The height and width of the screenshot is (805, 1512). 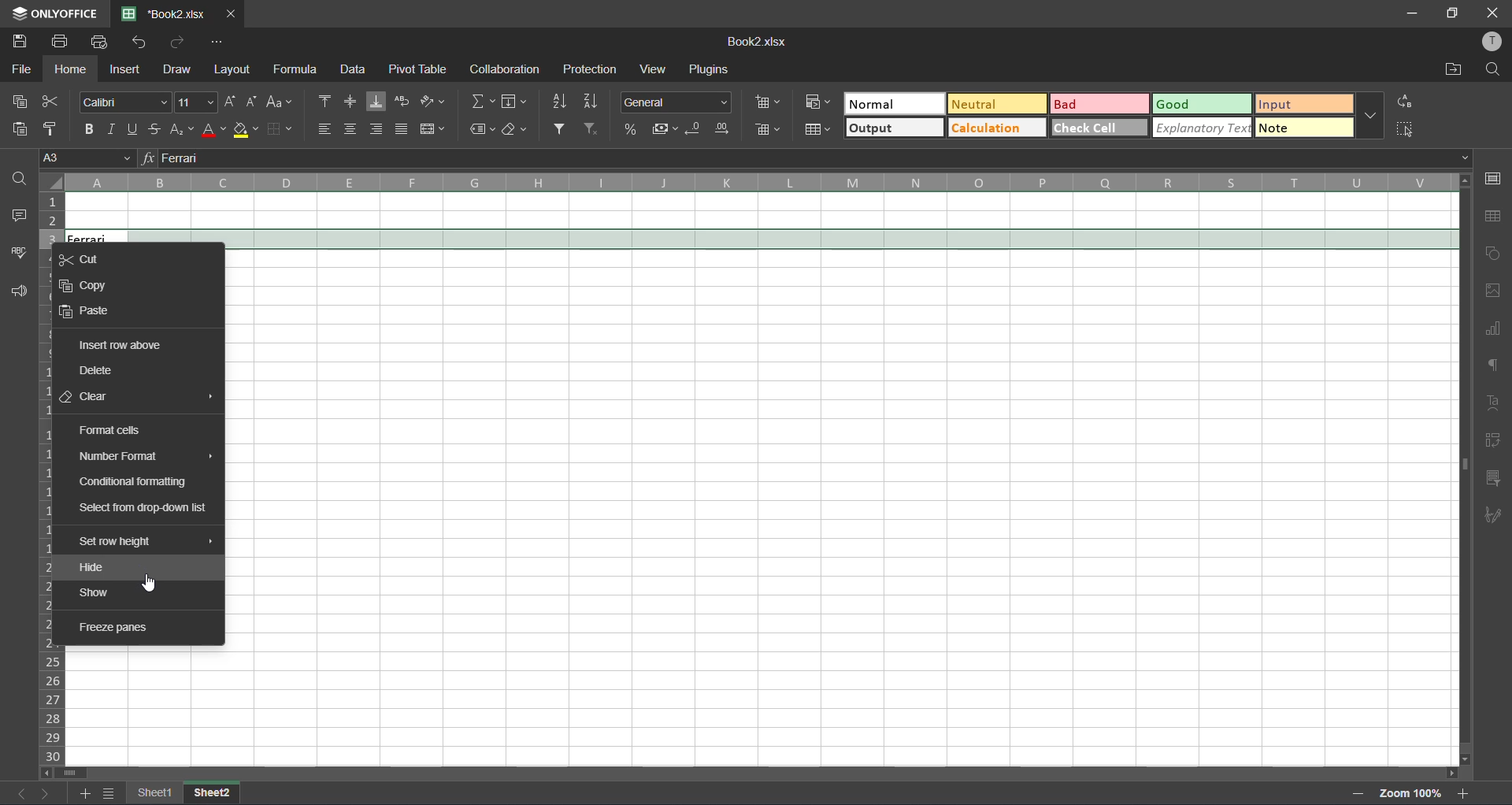 What do you see at coordinates (675, 101) in the screenshot?
I see `number format` at bounding box center [675, 101].